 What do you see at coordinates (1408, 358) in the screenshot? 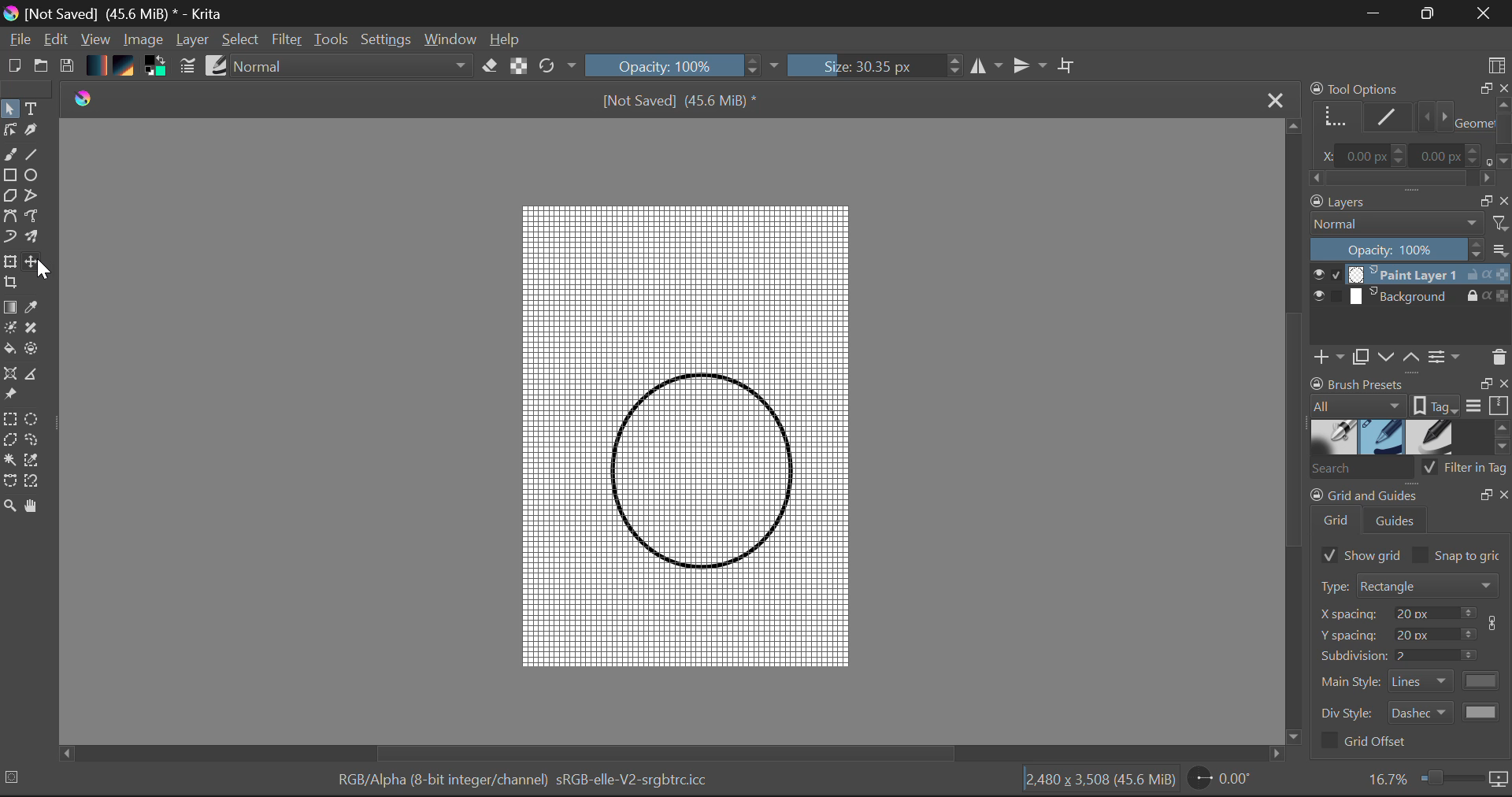
I see `Layers Quickbuttons` at bounding box center [1408, 358].